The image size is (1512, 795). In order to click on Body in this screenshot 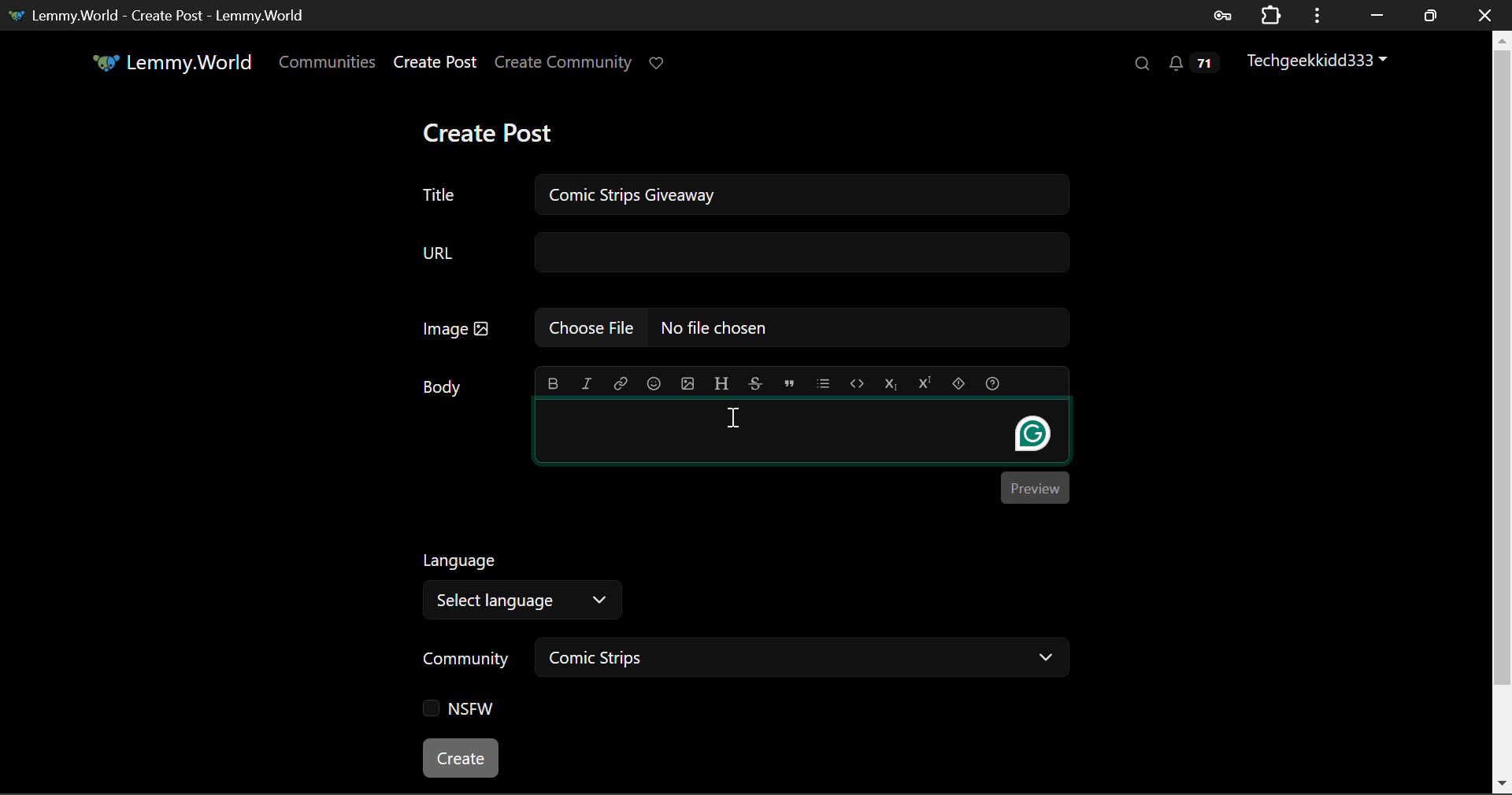, I will do `click(443, 384)`.